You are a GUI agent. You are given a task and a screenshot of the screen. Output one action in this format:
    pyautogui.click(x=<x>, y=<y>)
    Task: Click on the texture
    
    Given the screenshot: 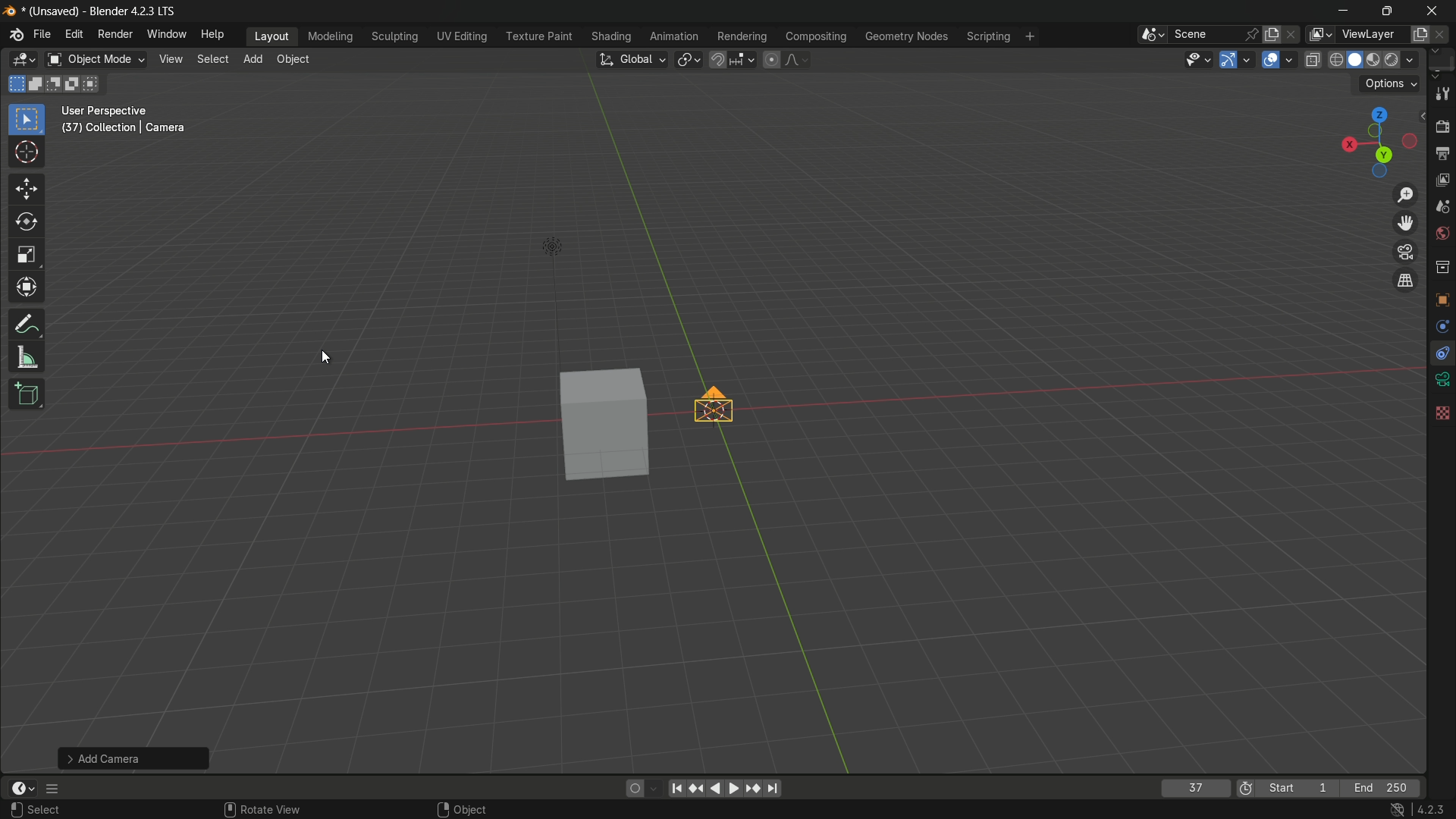 What is the action you would take?
    pyautogui.click(x=1442, y=300)
    